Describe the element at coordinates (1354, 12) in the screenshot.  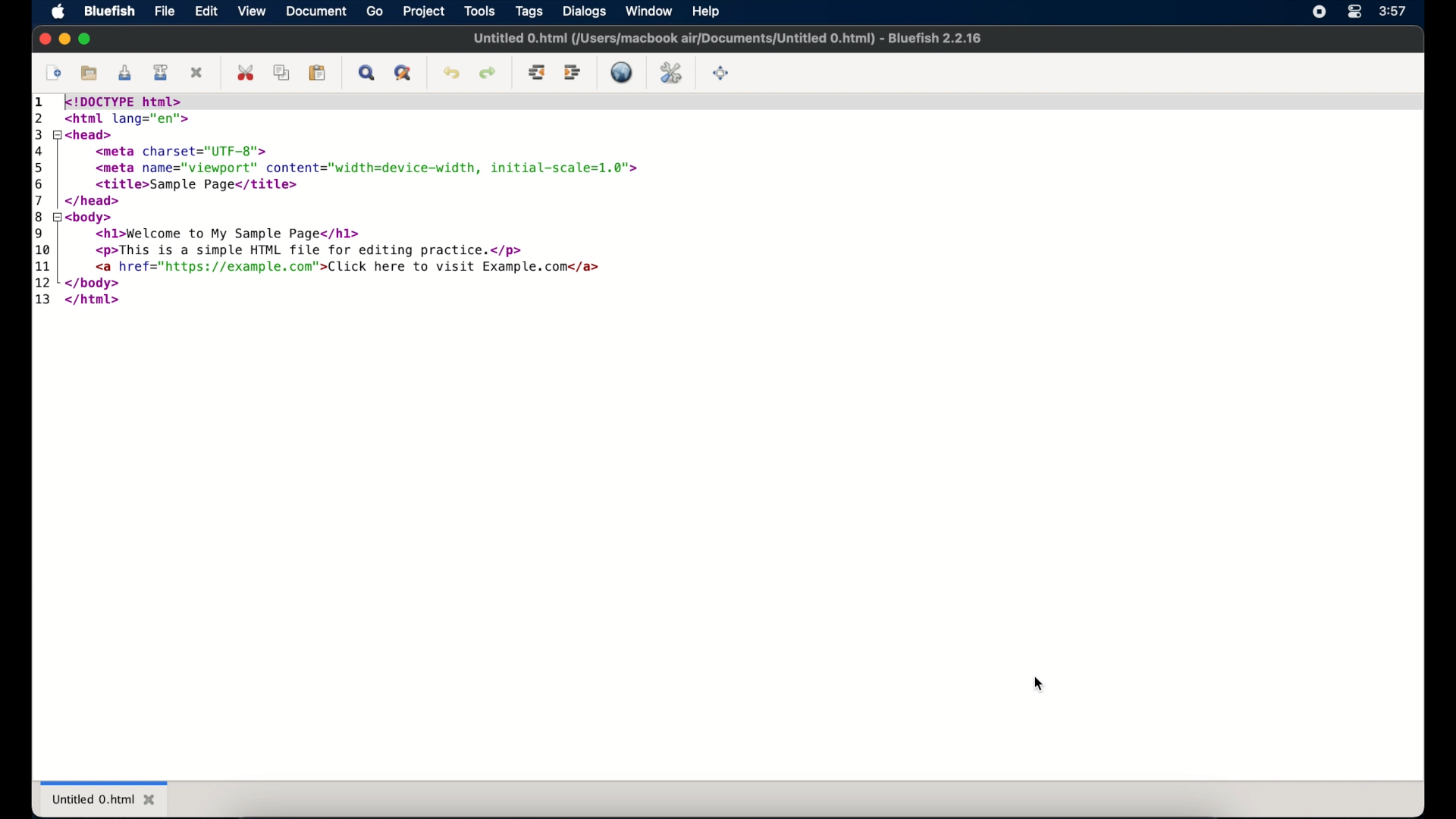
I see `control center` at that location.